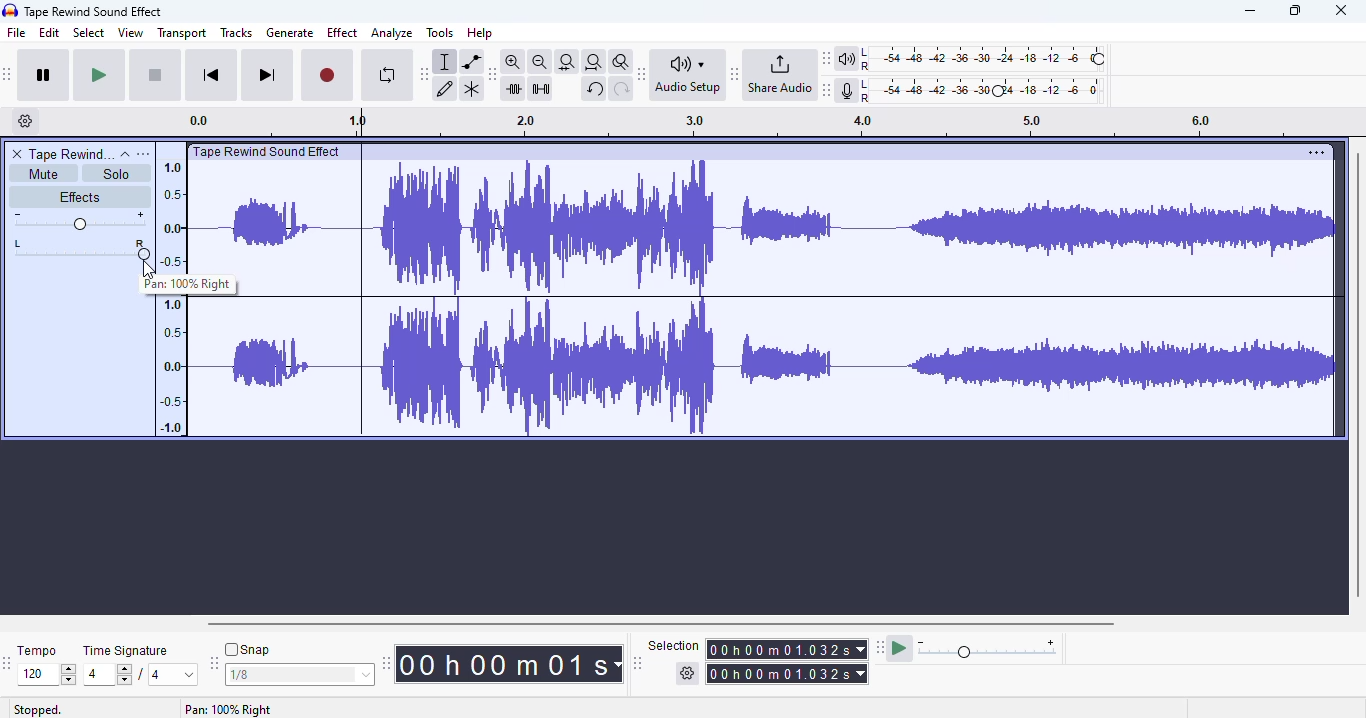 This screenshot has height=718, width=1366. What do you see at coordinates (479, 33) in the screenshot?
I see `help` at bounding box center [479, 33].